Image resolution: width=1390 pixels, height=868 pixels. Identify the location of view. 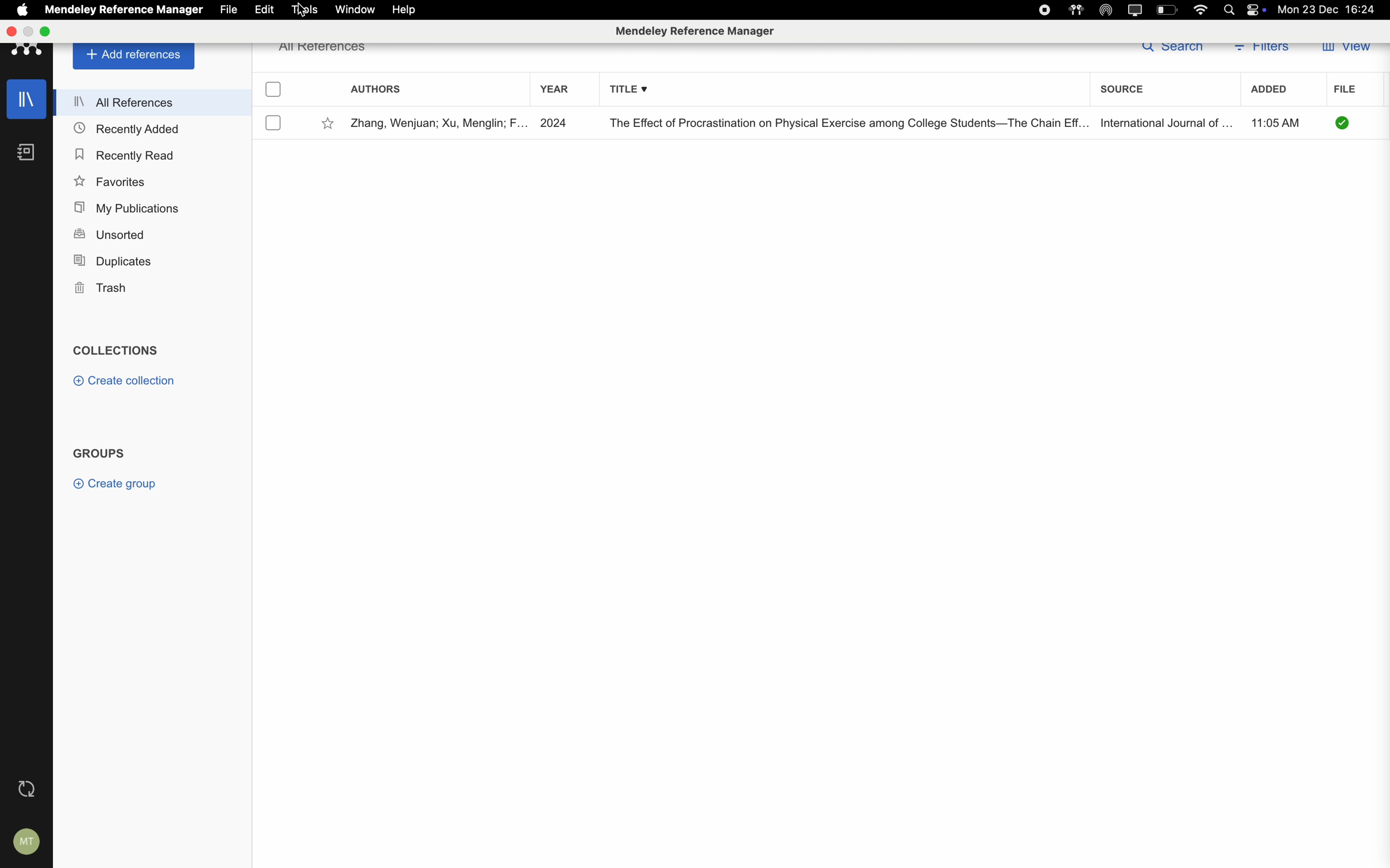
(1346, 51).